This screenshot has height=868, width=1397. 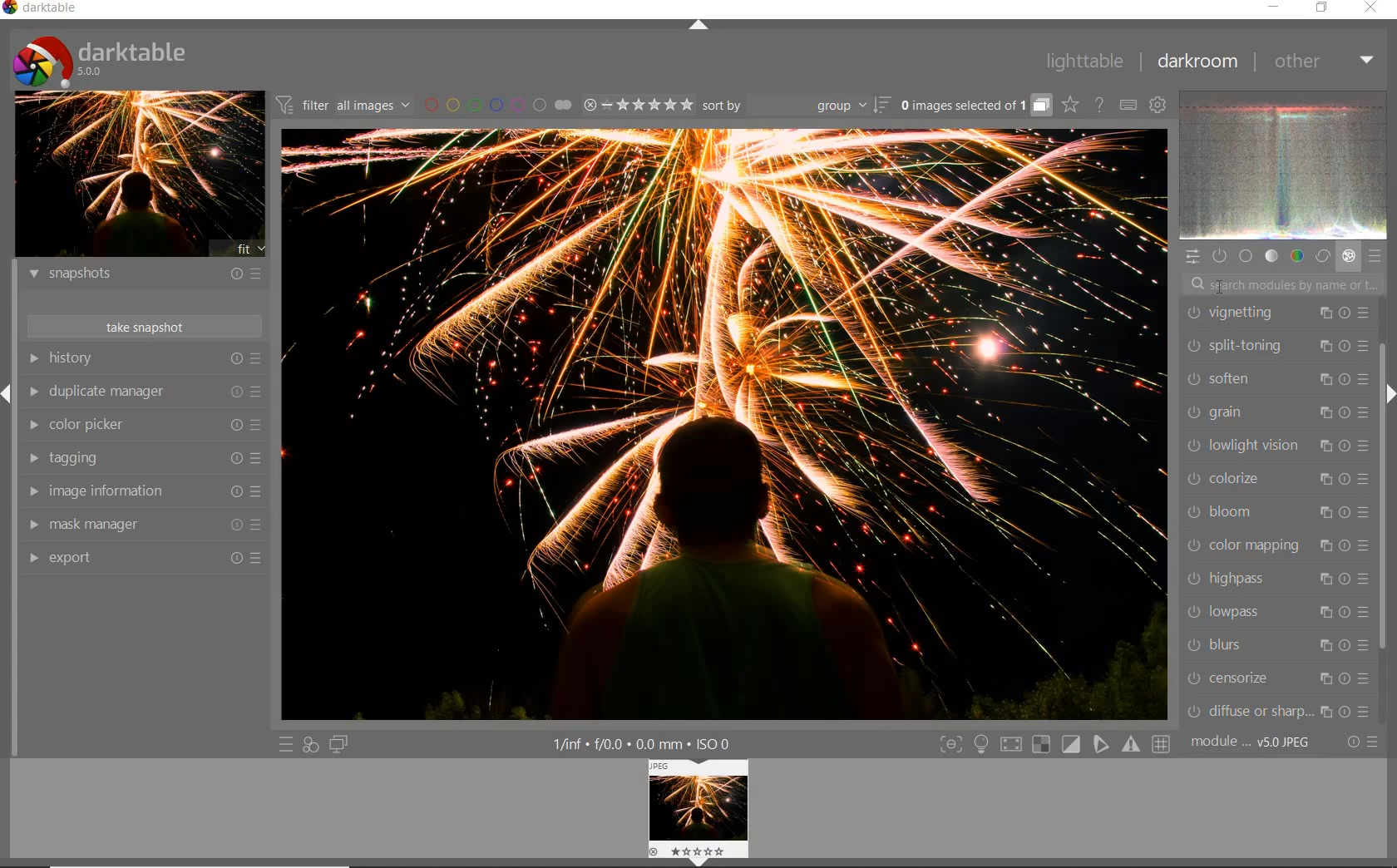 What do you see at coordinates (99, 61) in the screenshot?
I see `Darktable 5.0.0` at bounding box center [99, 61].